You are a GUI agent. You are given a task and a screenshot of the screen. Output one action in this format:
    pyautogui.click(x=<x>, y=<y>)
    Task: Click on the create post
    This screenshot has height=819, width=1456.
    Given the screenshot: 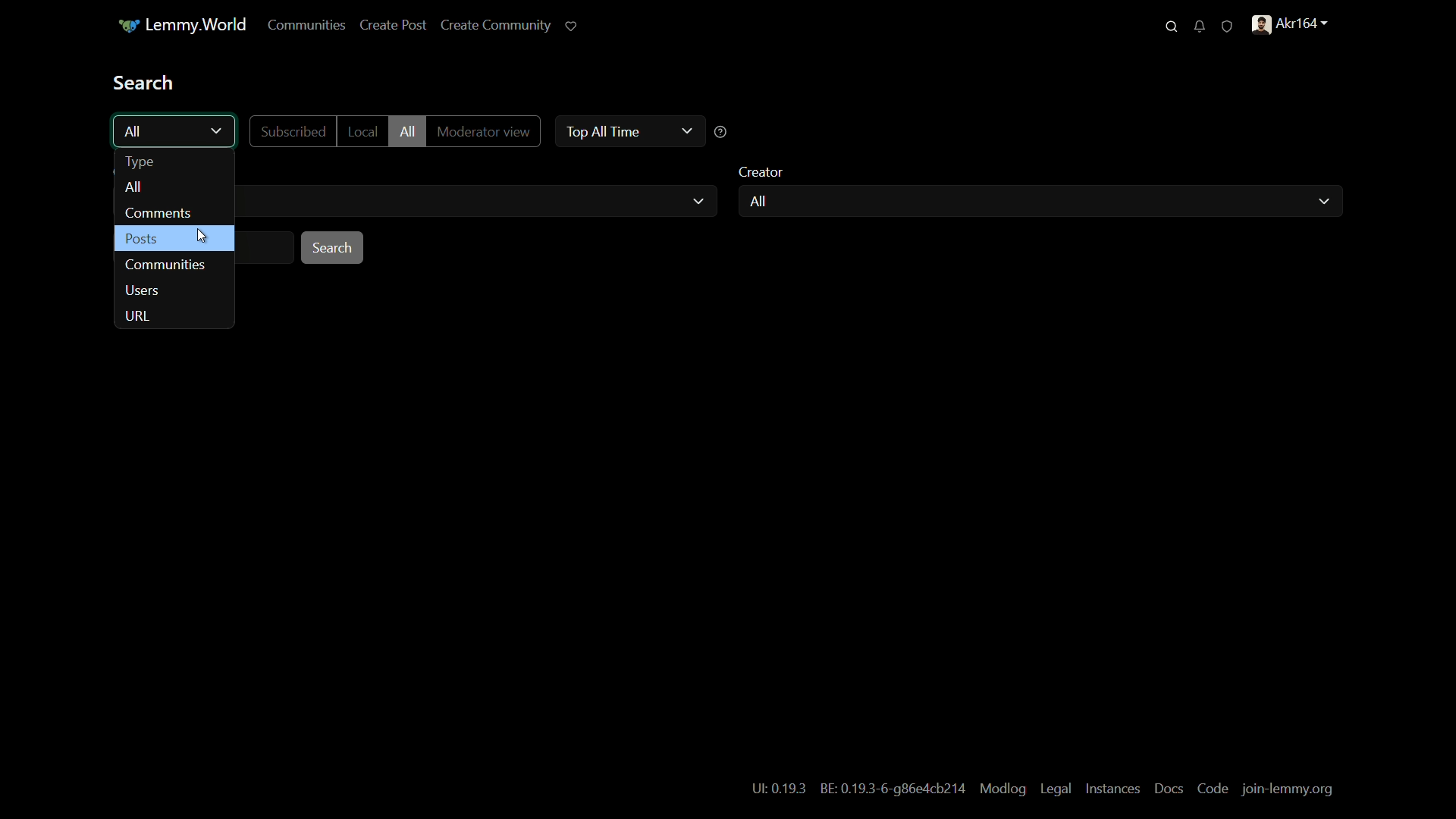 What is the action you would take?
    pyautogui.click(x=394, y=26)
    